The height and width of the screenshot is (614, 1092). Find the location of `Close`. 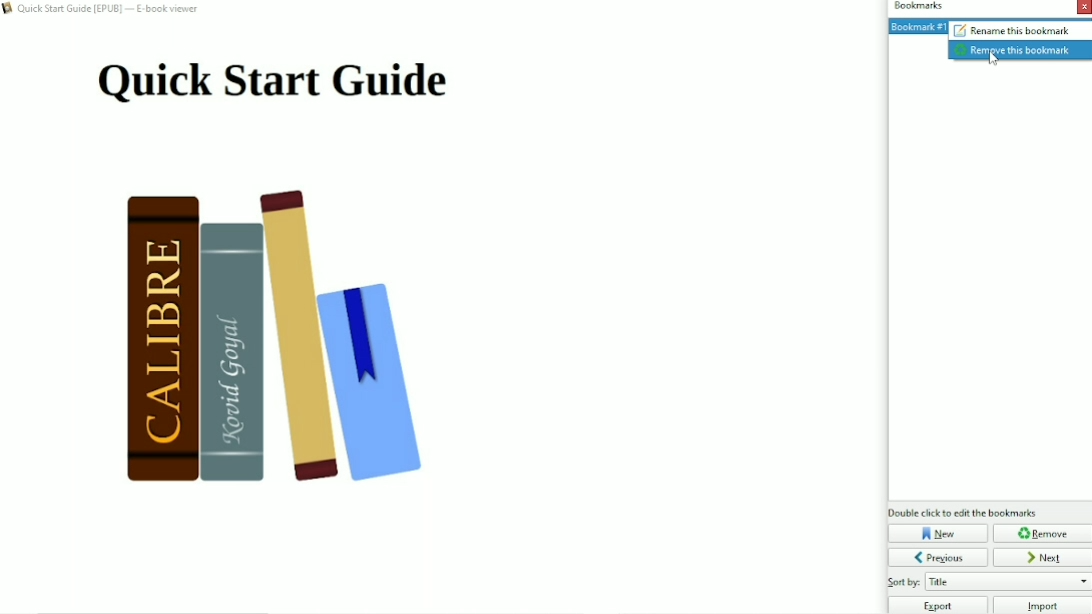

Close is located at coordinates (1083, 8).